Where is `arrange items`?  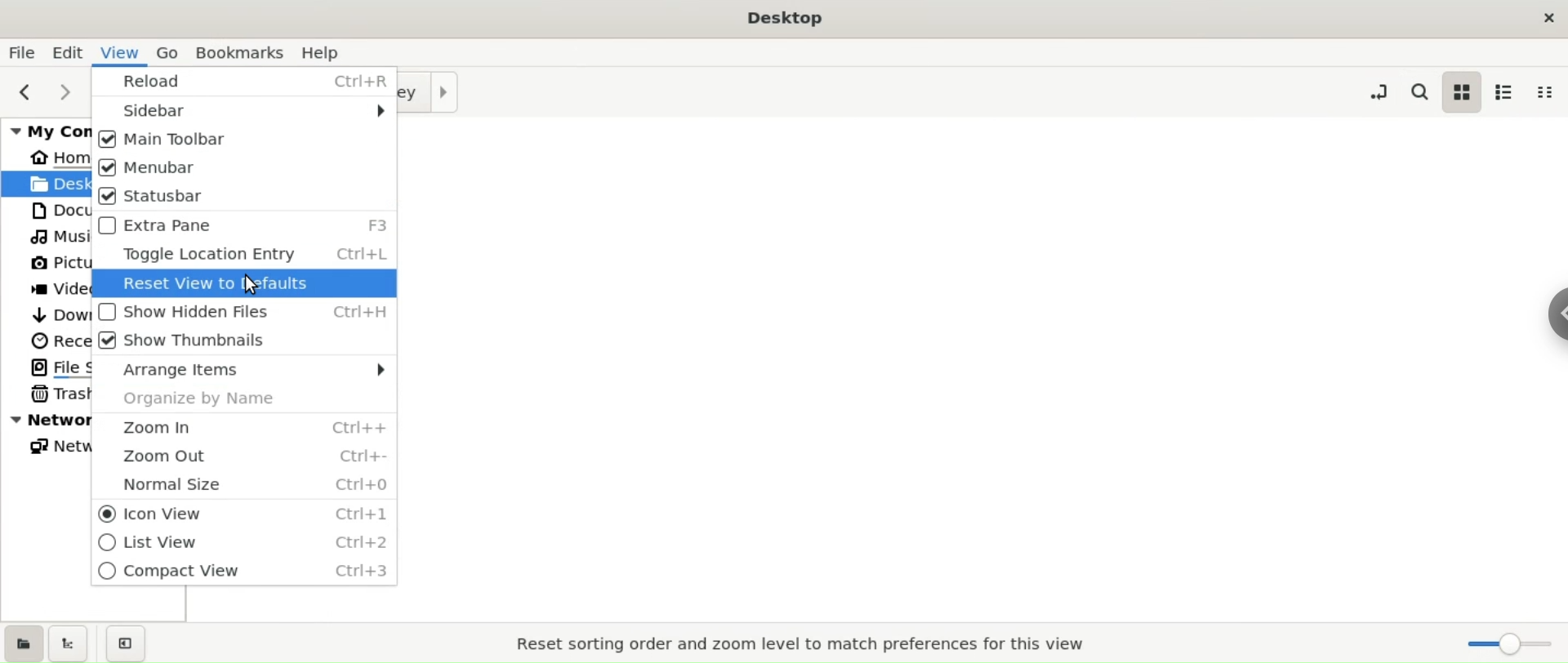 arrange items is located at coordinates (245, 369).